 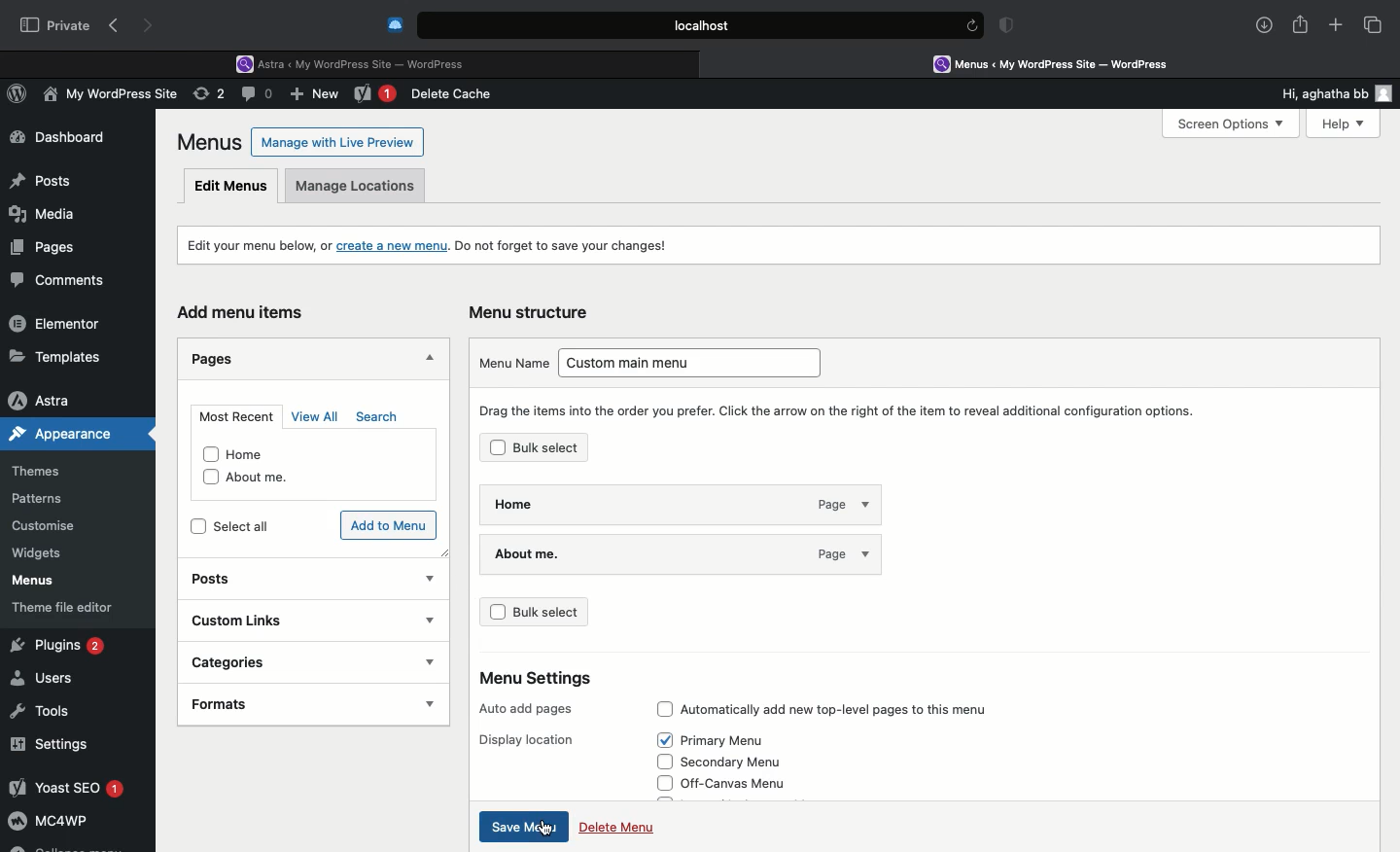 What do you see at coordinates (151, 25) in the screenshot?
I see `Forward` at bounding box center [151, 25].